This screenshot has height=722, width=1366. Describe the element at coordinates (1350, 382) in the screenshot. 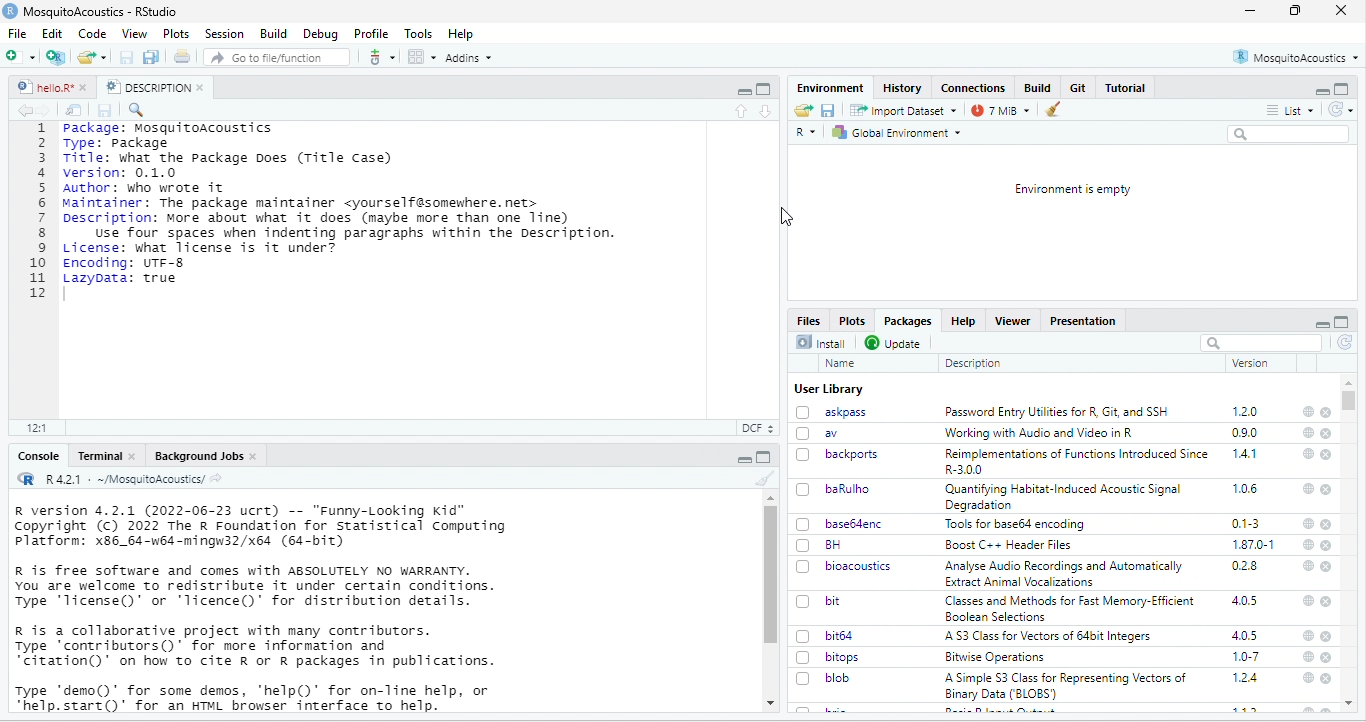

I see `scroll up` at that location.